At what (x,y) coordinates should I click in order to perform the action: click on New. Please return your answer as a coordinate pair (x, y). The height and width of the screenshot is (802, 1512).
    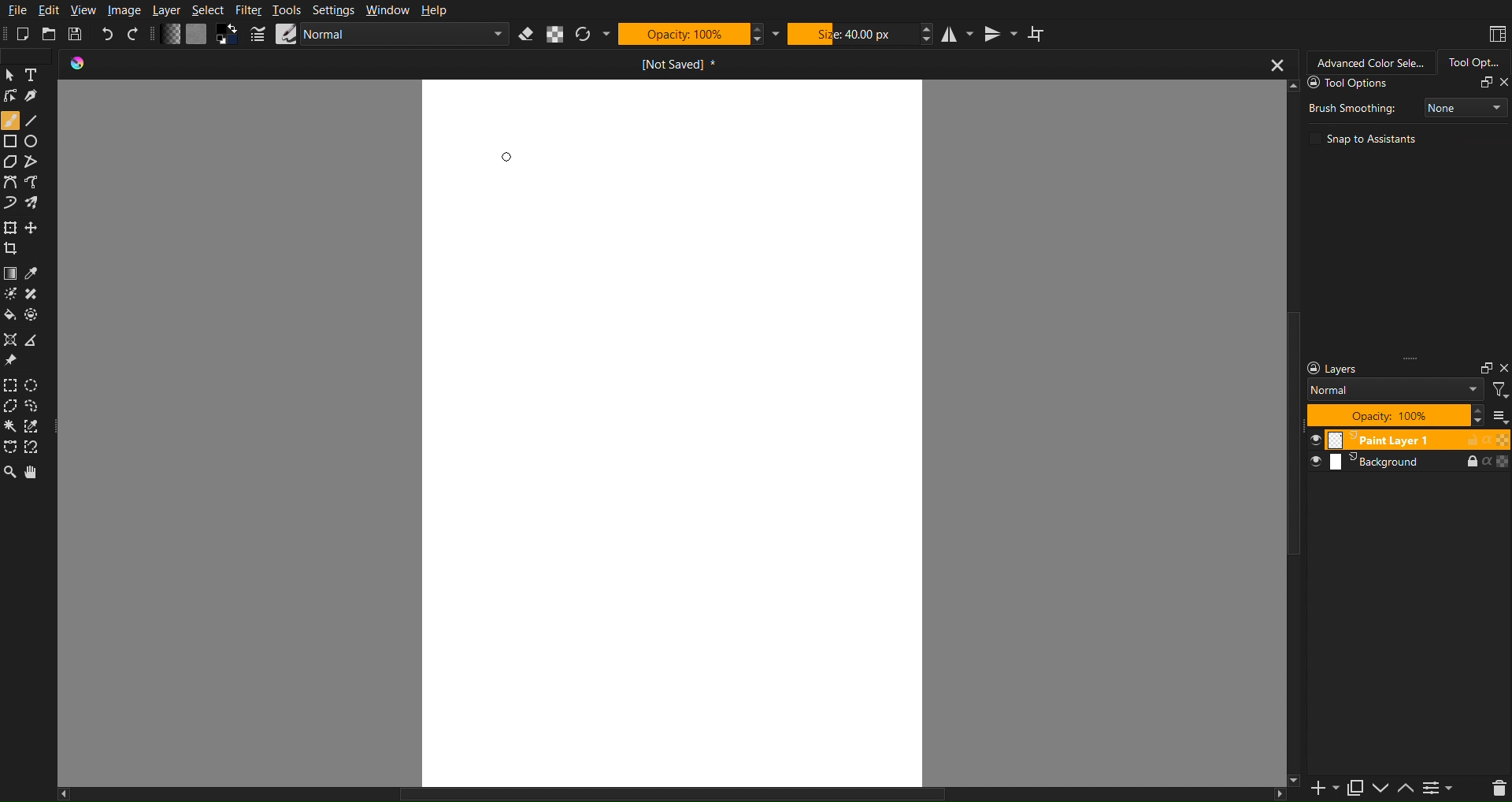
    Looking at the image, I should click on (23, 34).